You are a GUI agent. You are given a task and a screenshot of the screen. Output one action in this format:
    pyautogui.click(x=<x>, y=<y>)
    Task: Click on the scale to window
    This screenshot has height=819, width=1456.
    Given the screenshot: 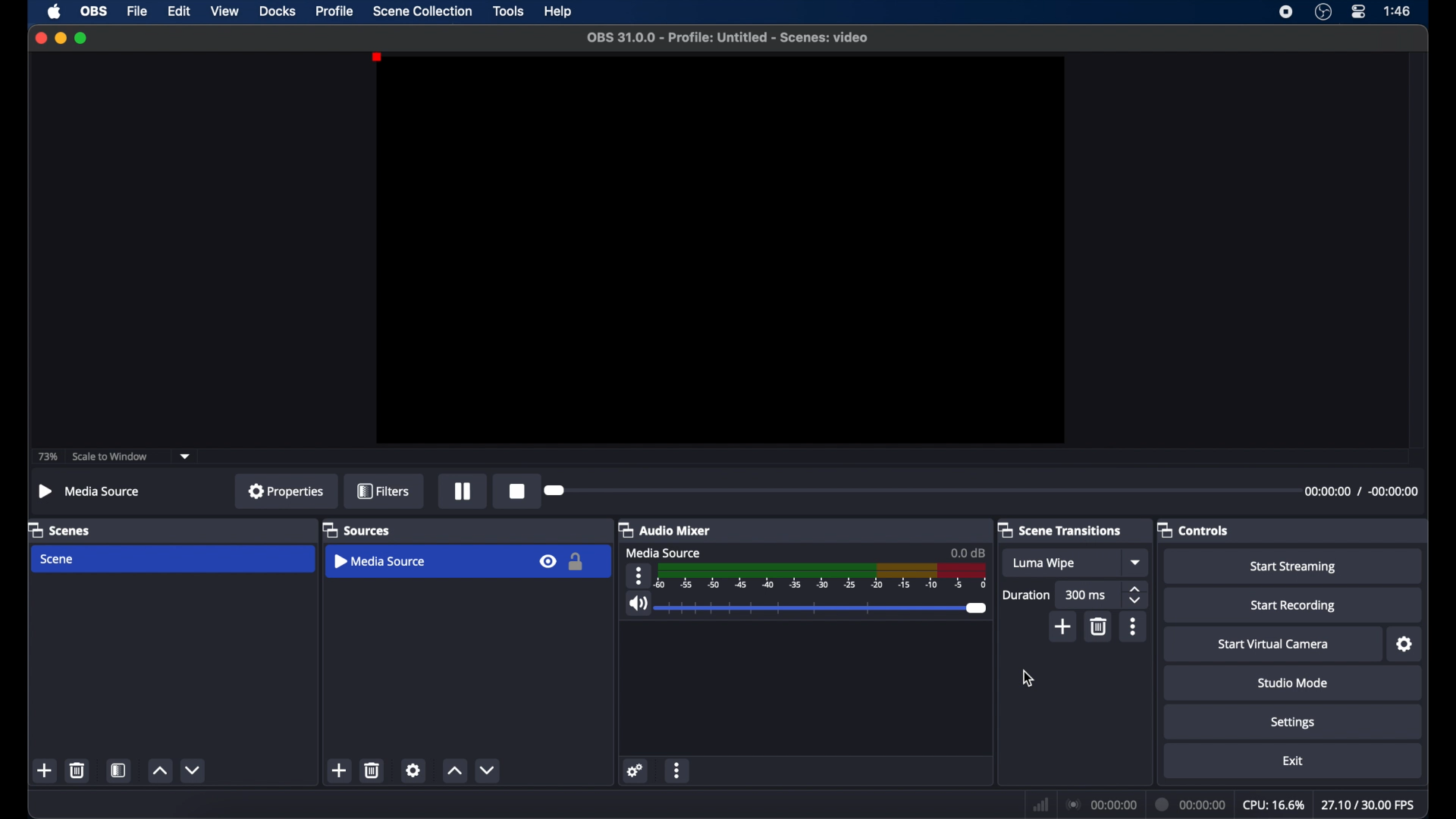 What is the action you would take?
    pyautogui.click(x=110, y=457)
    